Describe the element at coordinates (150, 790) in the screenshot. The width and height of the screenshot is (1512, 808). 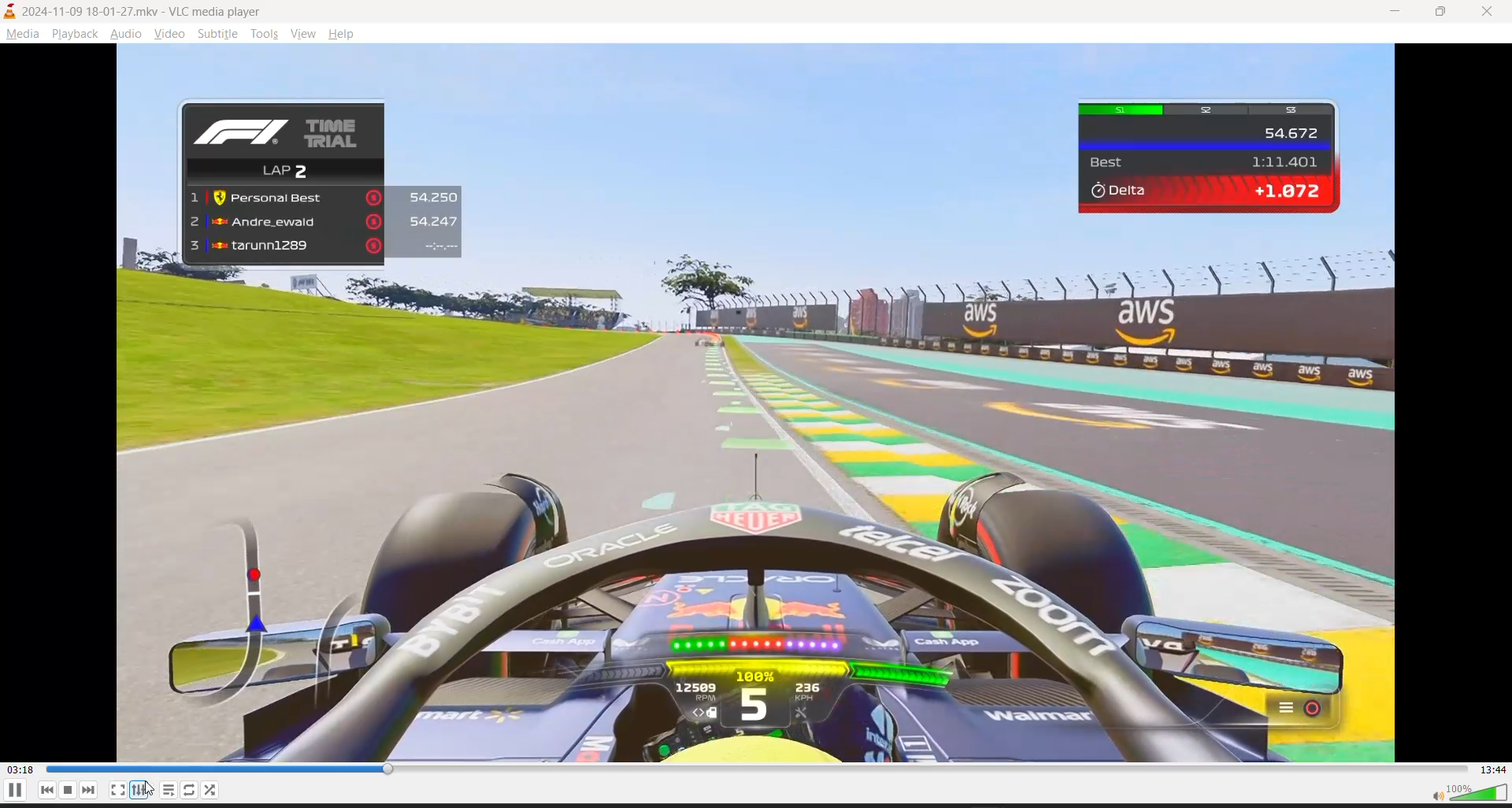
I see `cursor` at that location.